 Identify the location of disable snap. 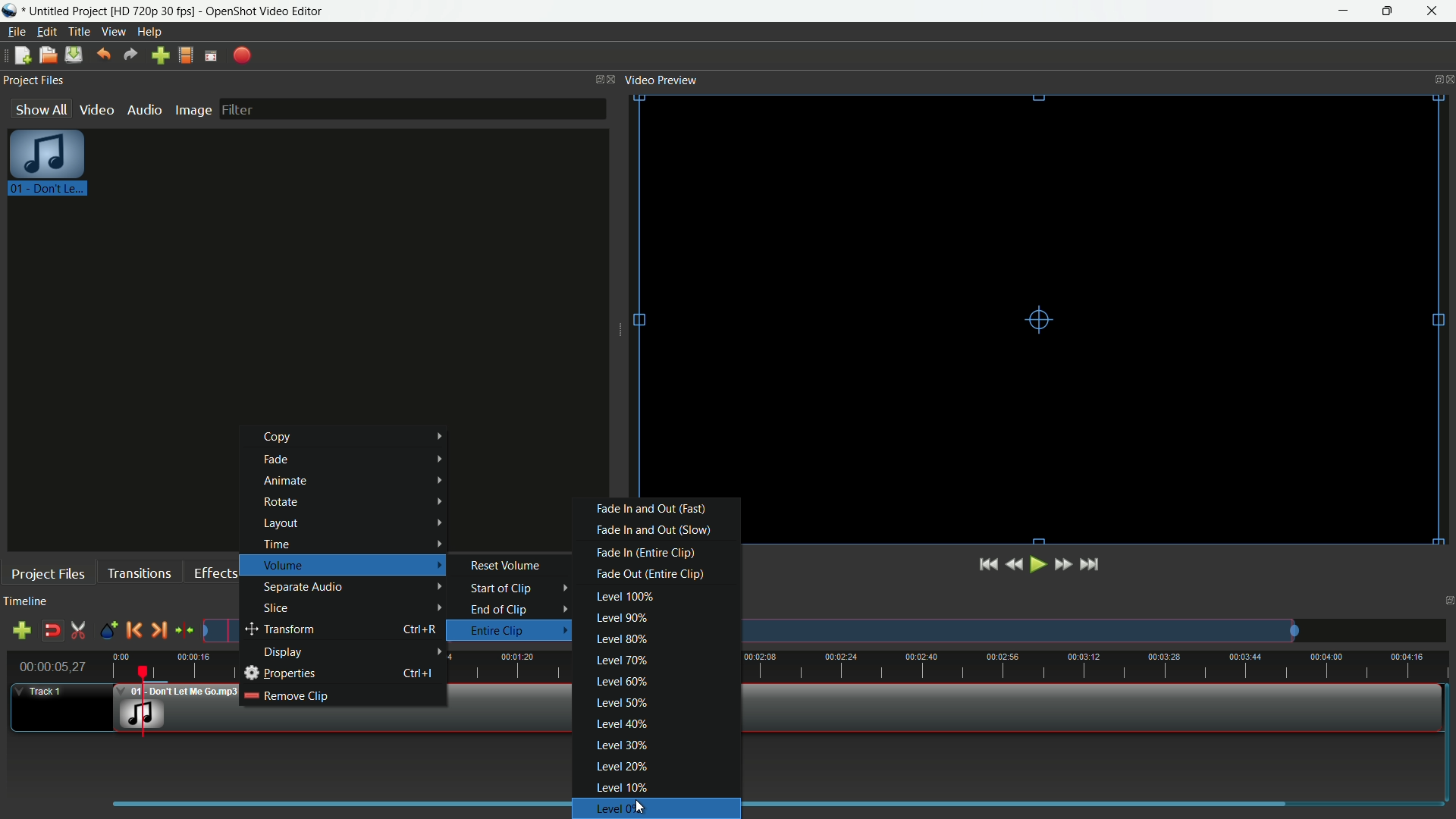
(52, 631).